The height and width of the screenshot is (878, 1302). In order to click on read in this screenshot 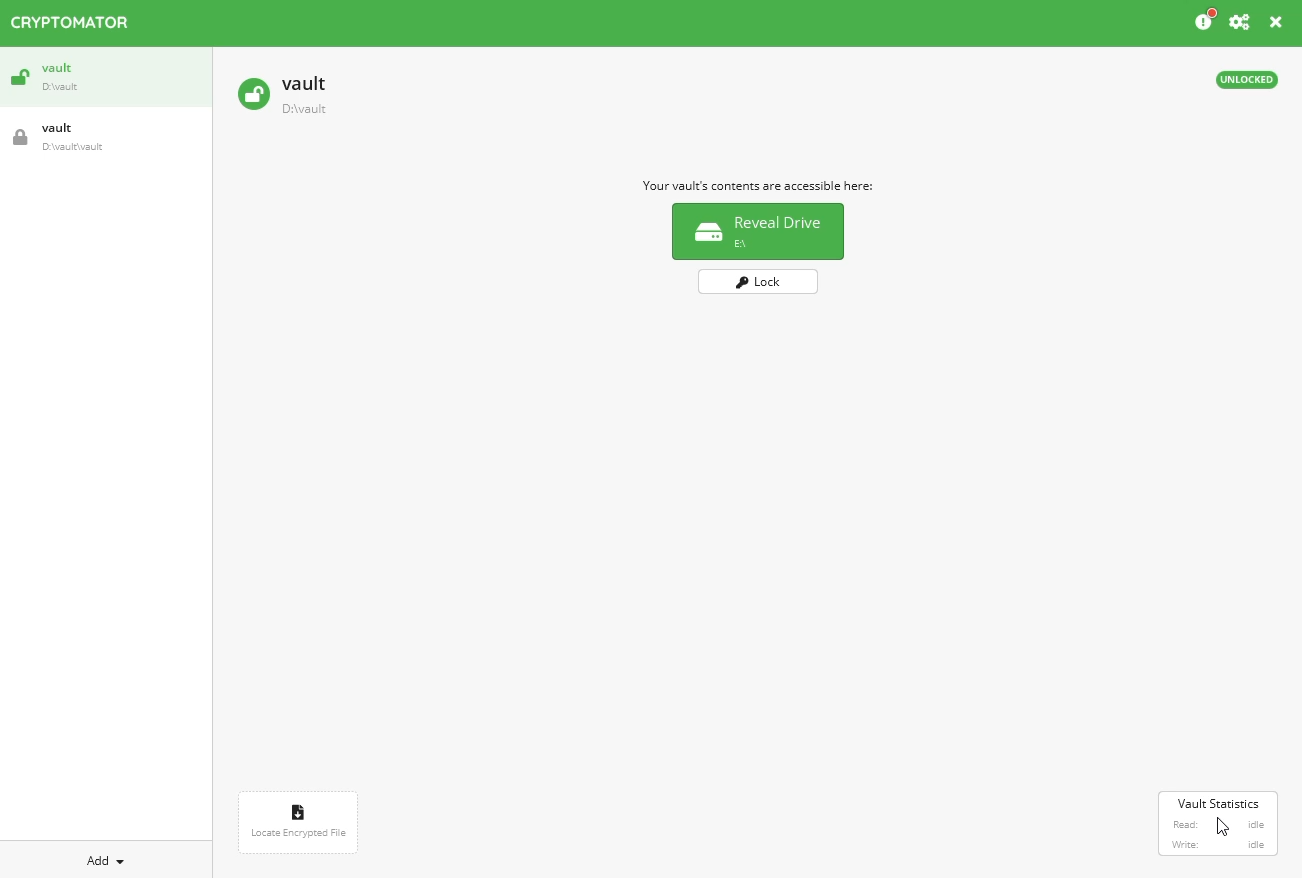, I will do `click(1185, 825)`.